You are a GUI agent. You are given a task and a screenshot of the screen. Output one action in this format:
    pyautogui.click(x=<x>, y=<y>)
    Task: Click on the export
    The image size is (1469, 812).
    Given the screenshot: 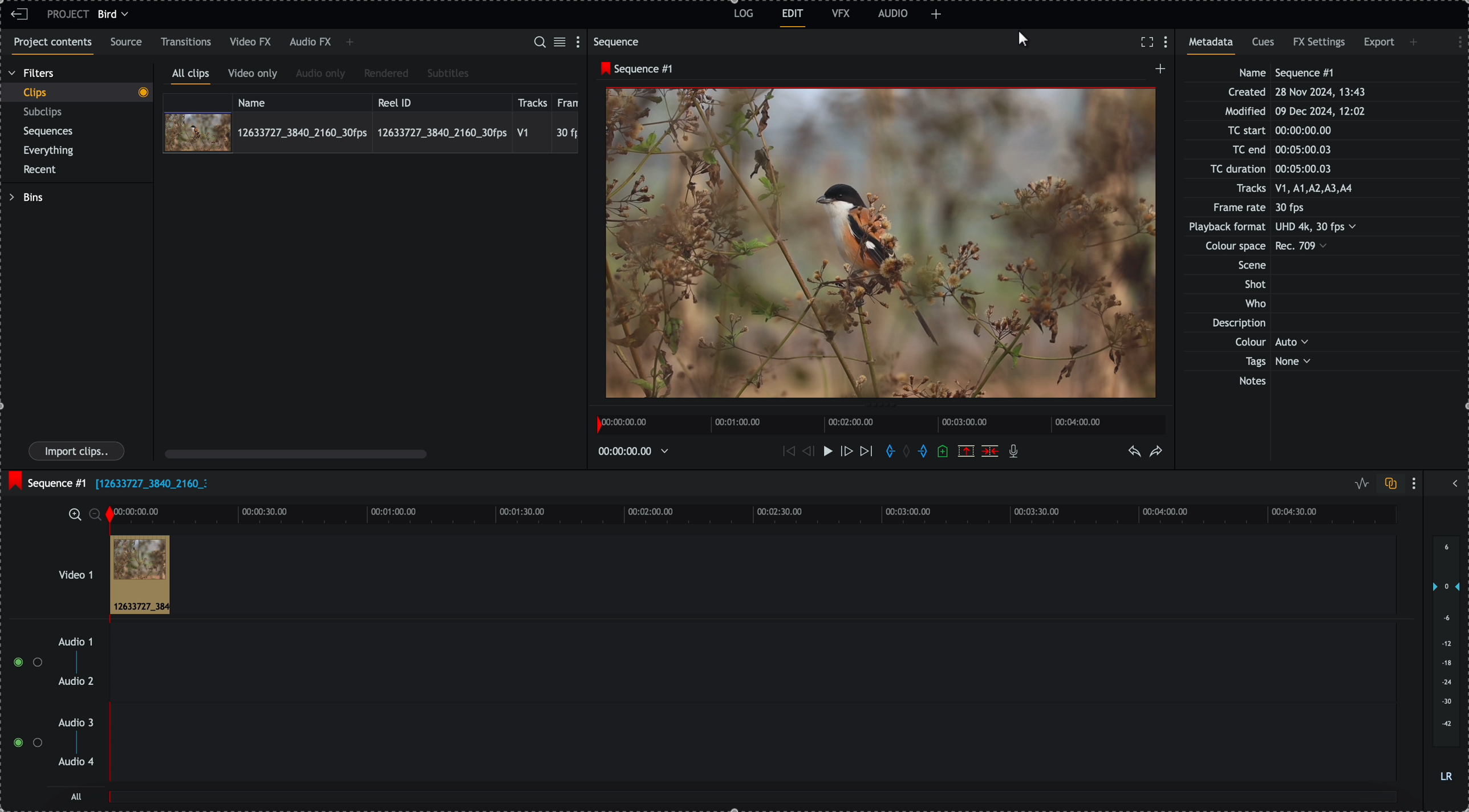 What is the action you would take?
    pyautogui.click(x=1379, y=44)
    